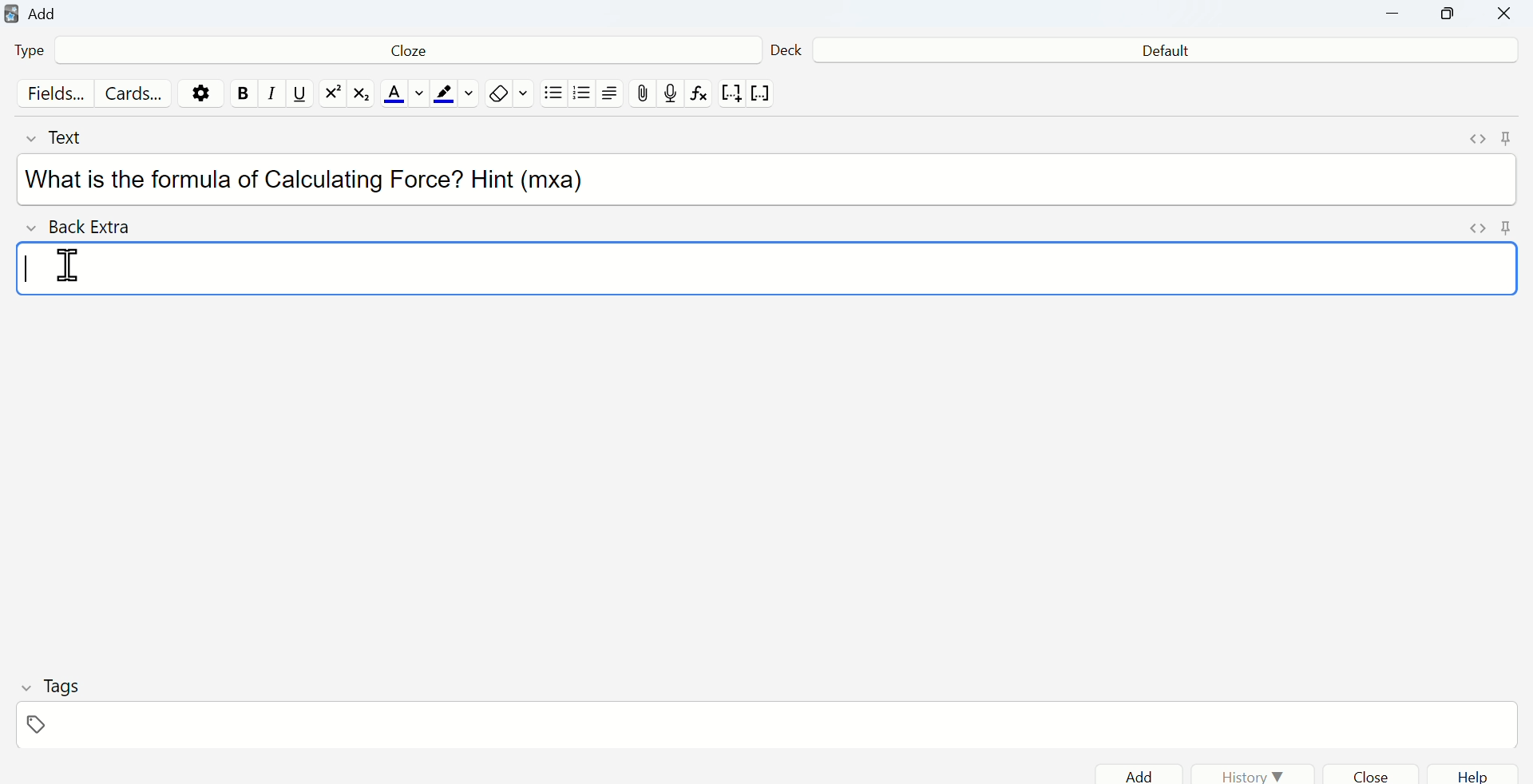  What do you see at coordinates (362, 96) in the screenshot?
I see `matrix` at bounding box center [362, 96].